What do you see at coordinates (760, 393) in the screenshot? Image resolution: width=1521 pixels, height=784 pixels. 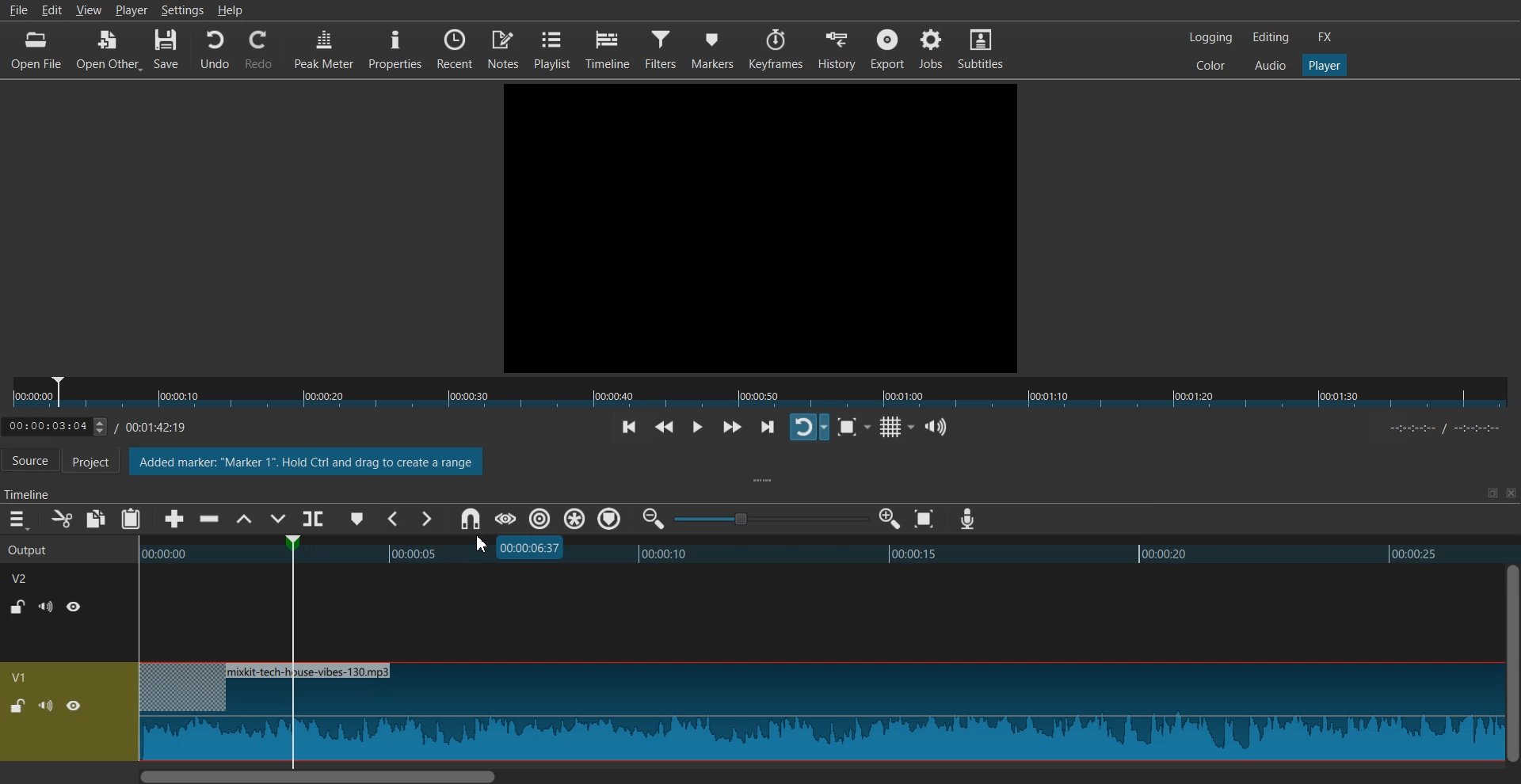 I see `Slider` at bounding box center [760, 393].